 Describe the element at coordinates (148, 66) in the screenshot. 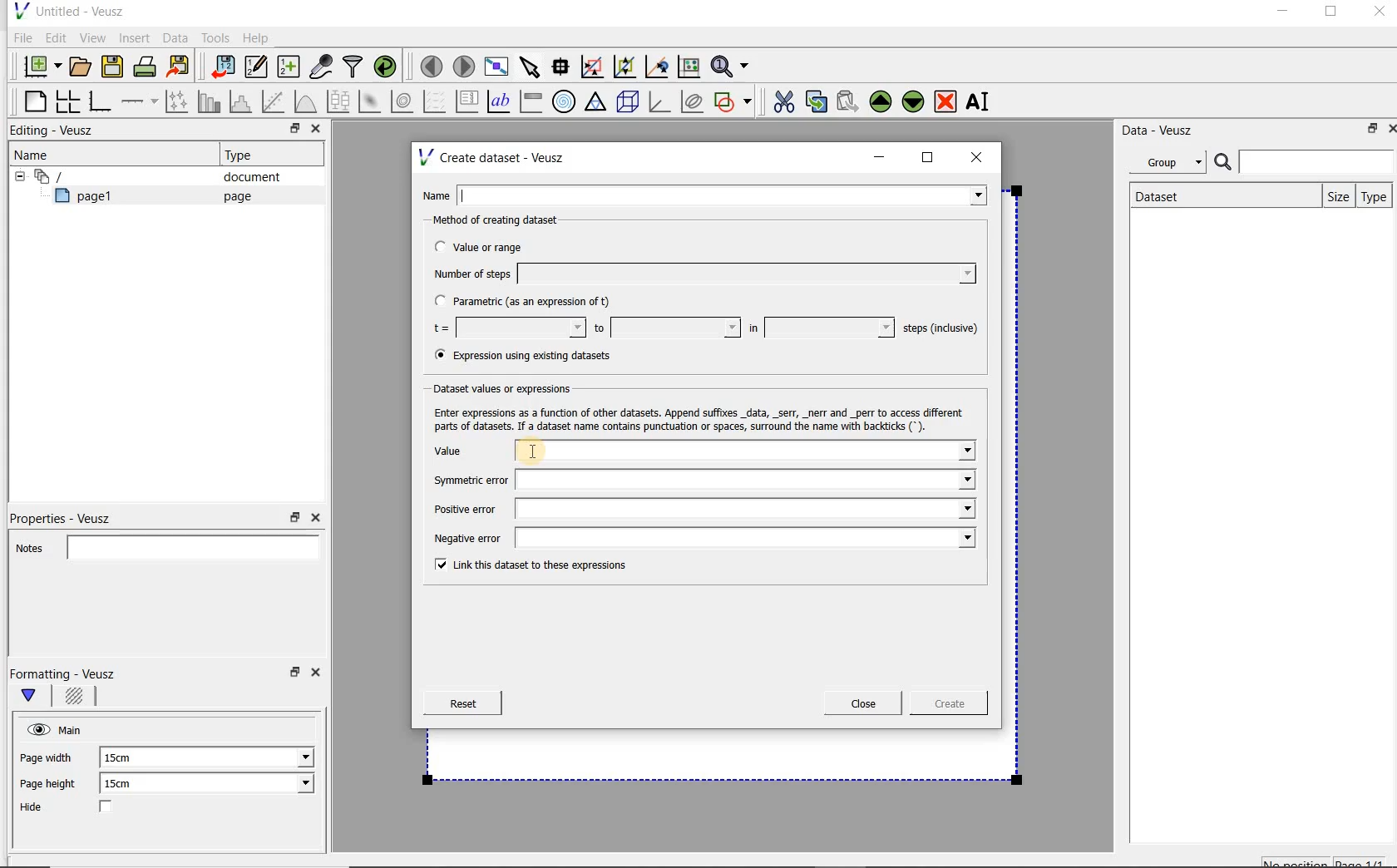

I see `print the document` at that location.